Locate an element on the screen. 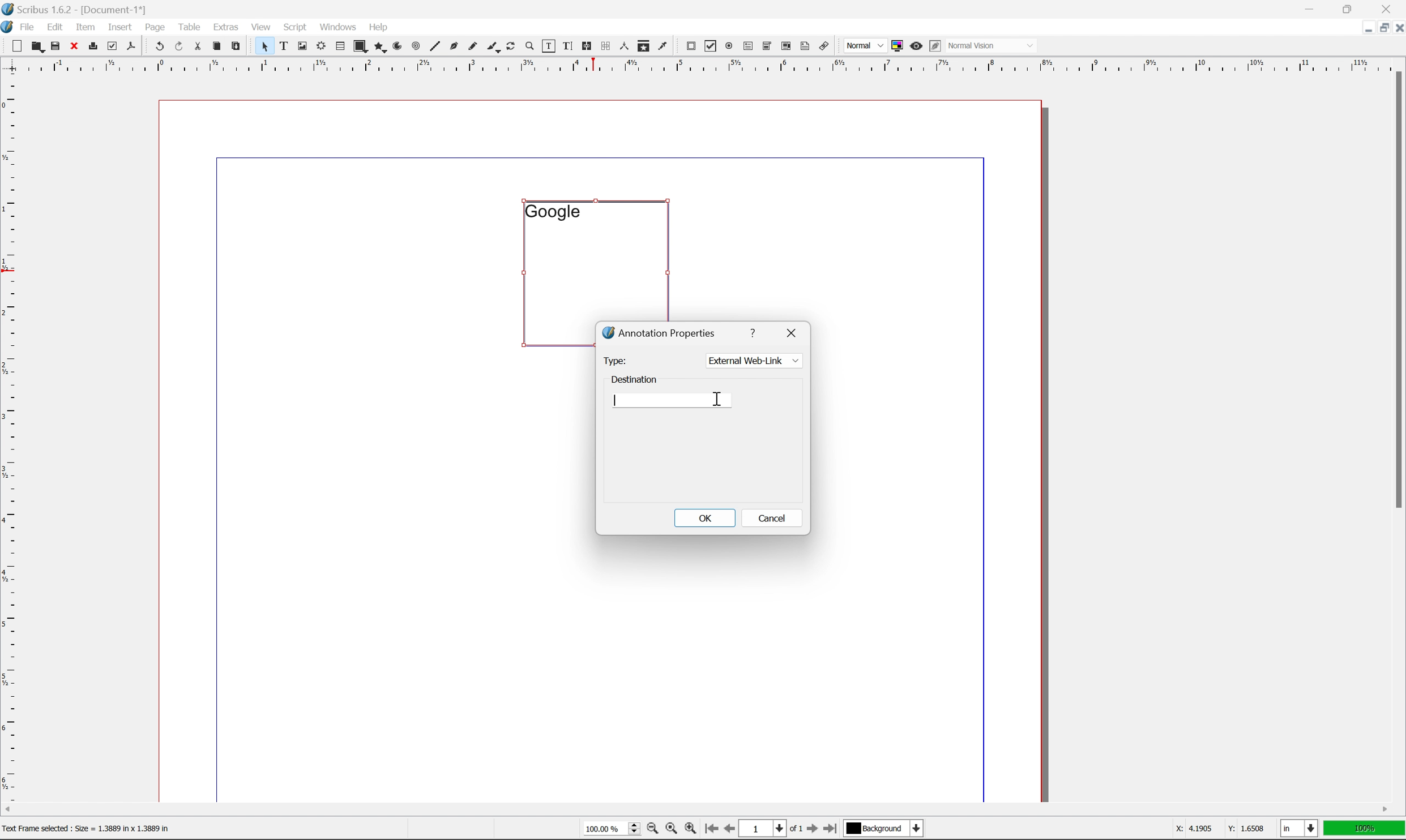  toggle color management system is located at coordinates (895, 45).